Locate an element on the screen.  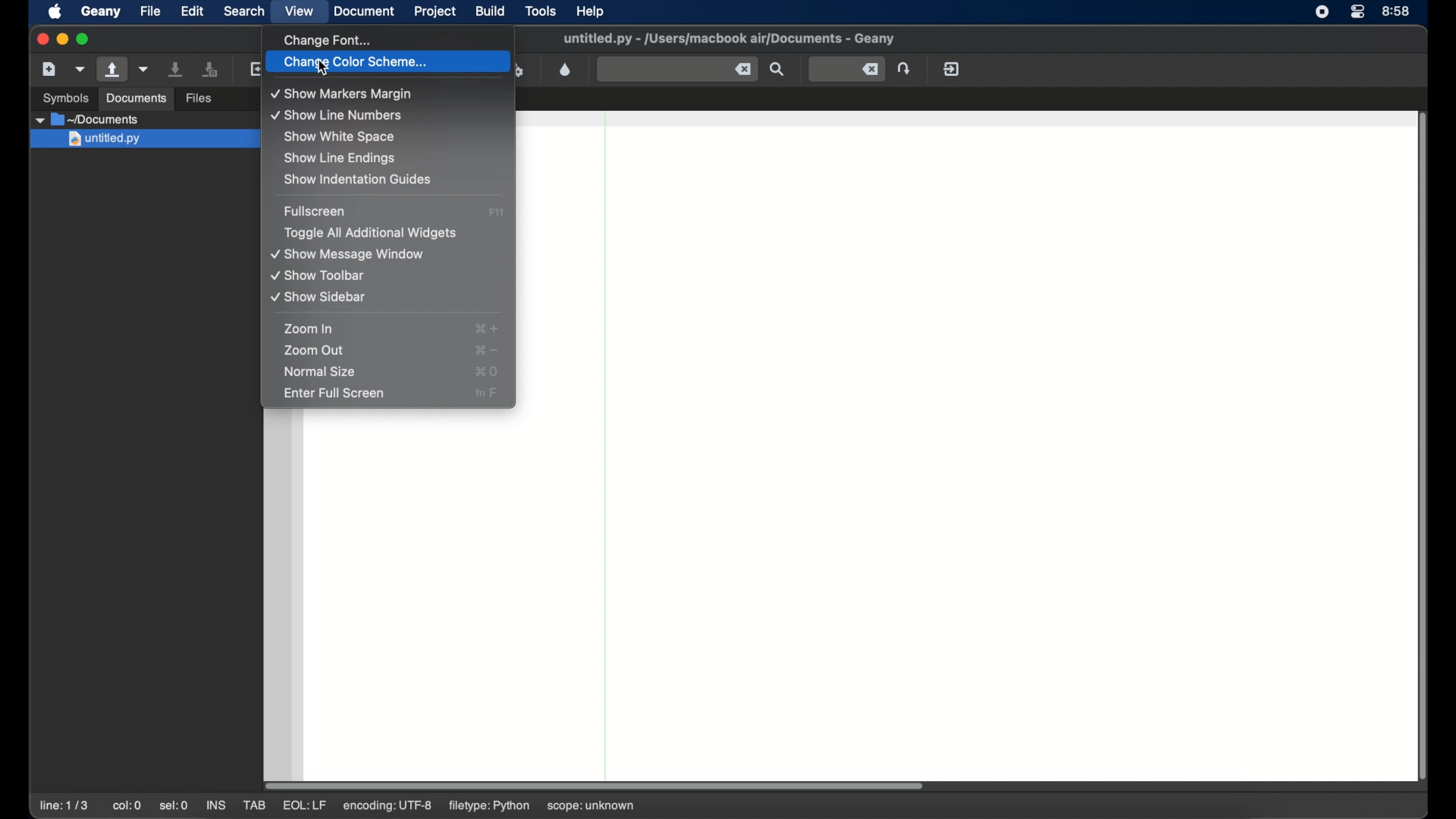
full screen shortcut is located at coordinates (488, 393).